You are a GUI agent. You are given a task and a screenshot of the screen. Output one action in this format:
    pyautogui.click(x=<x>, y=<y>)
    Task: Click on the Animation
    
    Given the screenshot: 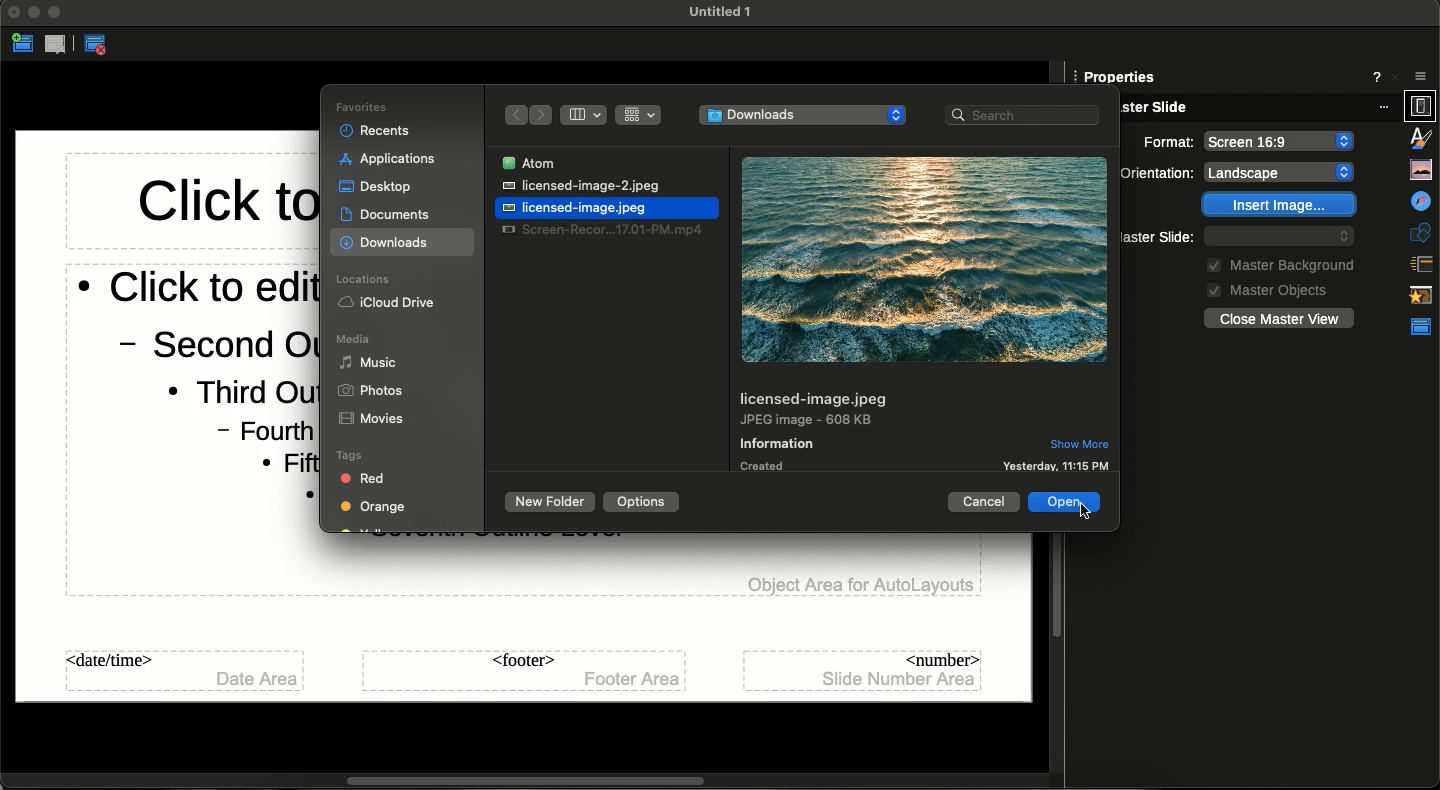 What is the action you would take?
    pyautogui.click(x=1421, y=261)
    